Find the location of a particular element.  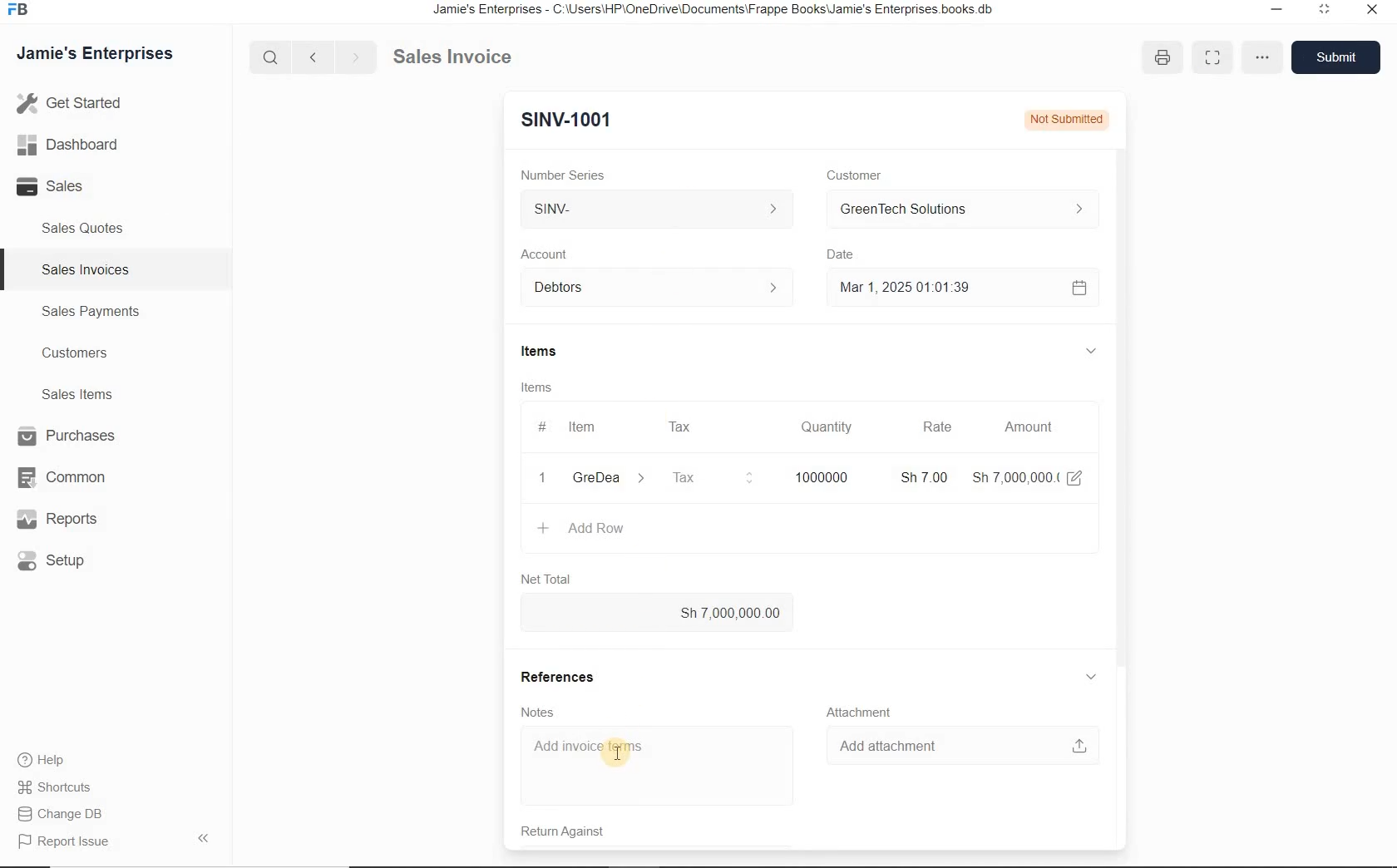

SINV- is located at coordinates (660, 211).